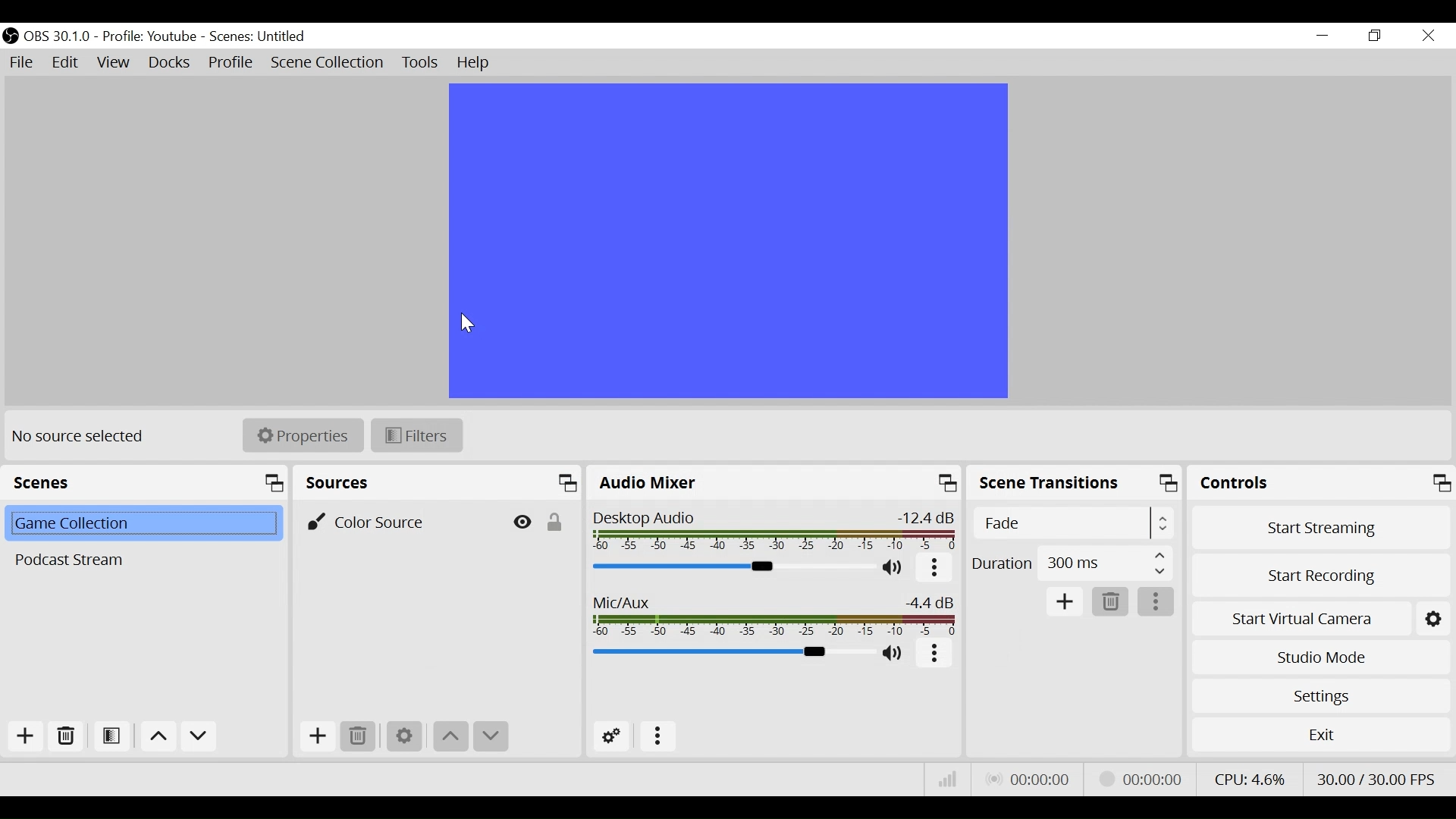 The height and width of the screenshot is (819, 1456). I want to click on Scene, so click(141, 525).